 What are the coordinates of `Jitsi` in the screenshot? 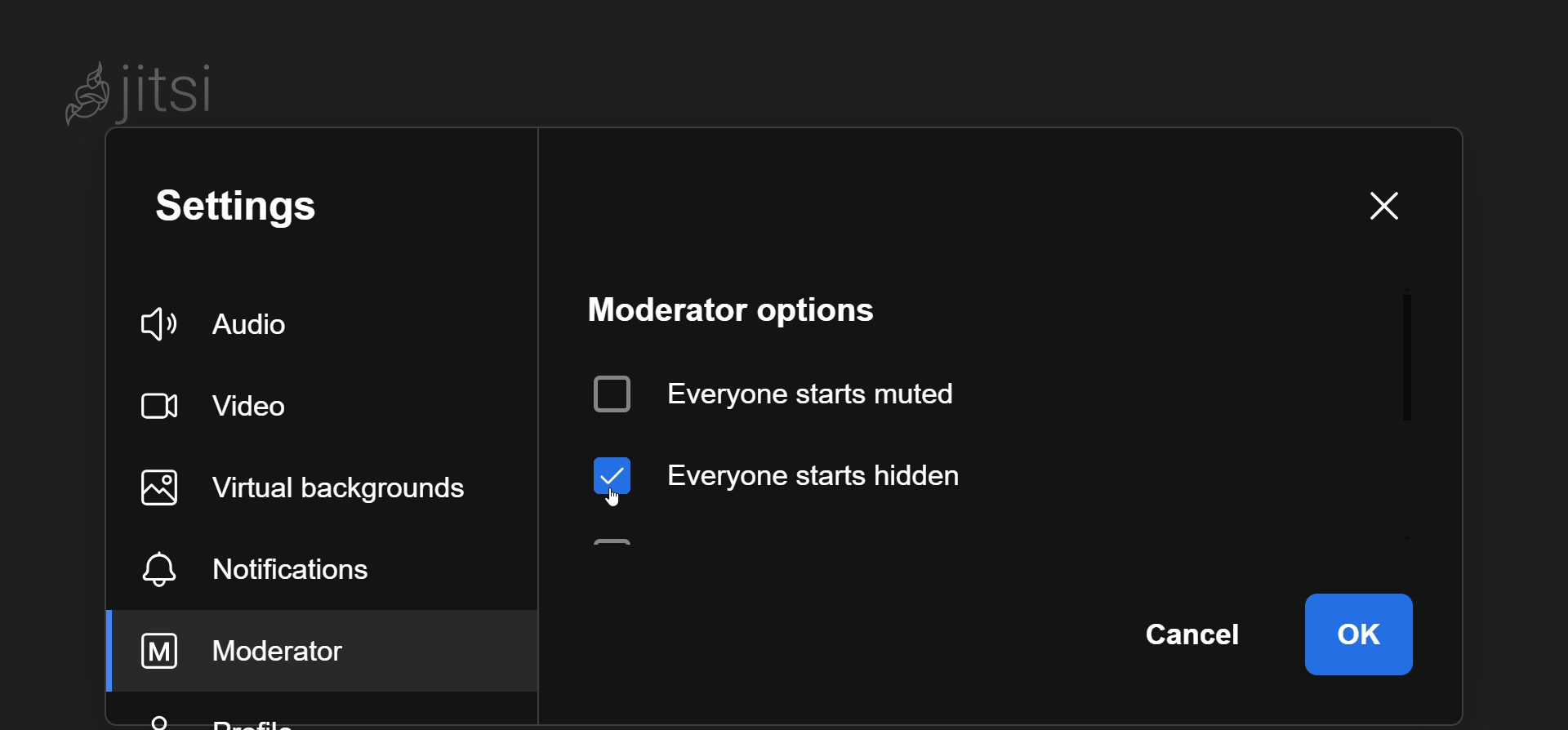 It's located at (145, 93).